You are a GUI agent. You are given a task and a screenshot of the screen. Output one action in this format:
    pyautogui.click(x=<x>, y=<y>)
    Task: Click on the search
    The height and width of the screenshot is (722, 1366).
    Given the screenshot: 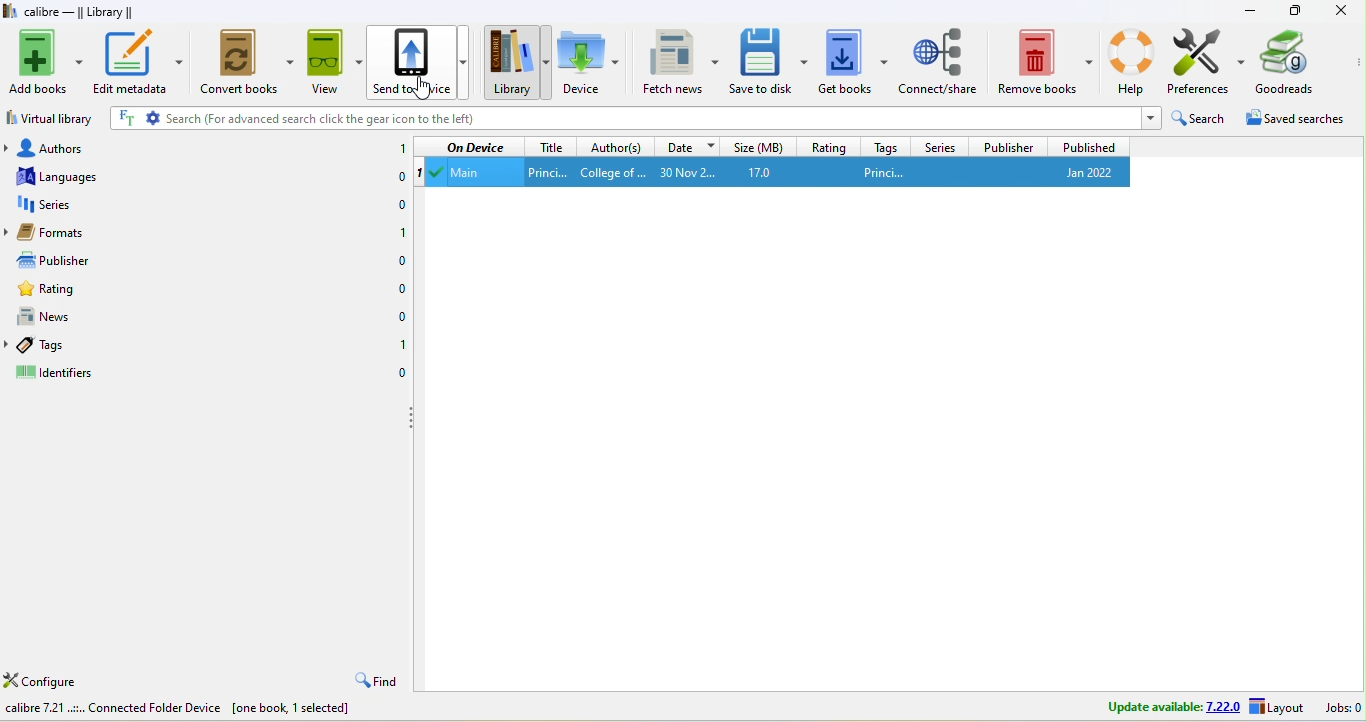 What is the action you would take?
    pyautogui.click(x=1198, y=120)
    